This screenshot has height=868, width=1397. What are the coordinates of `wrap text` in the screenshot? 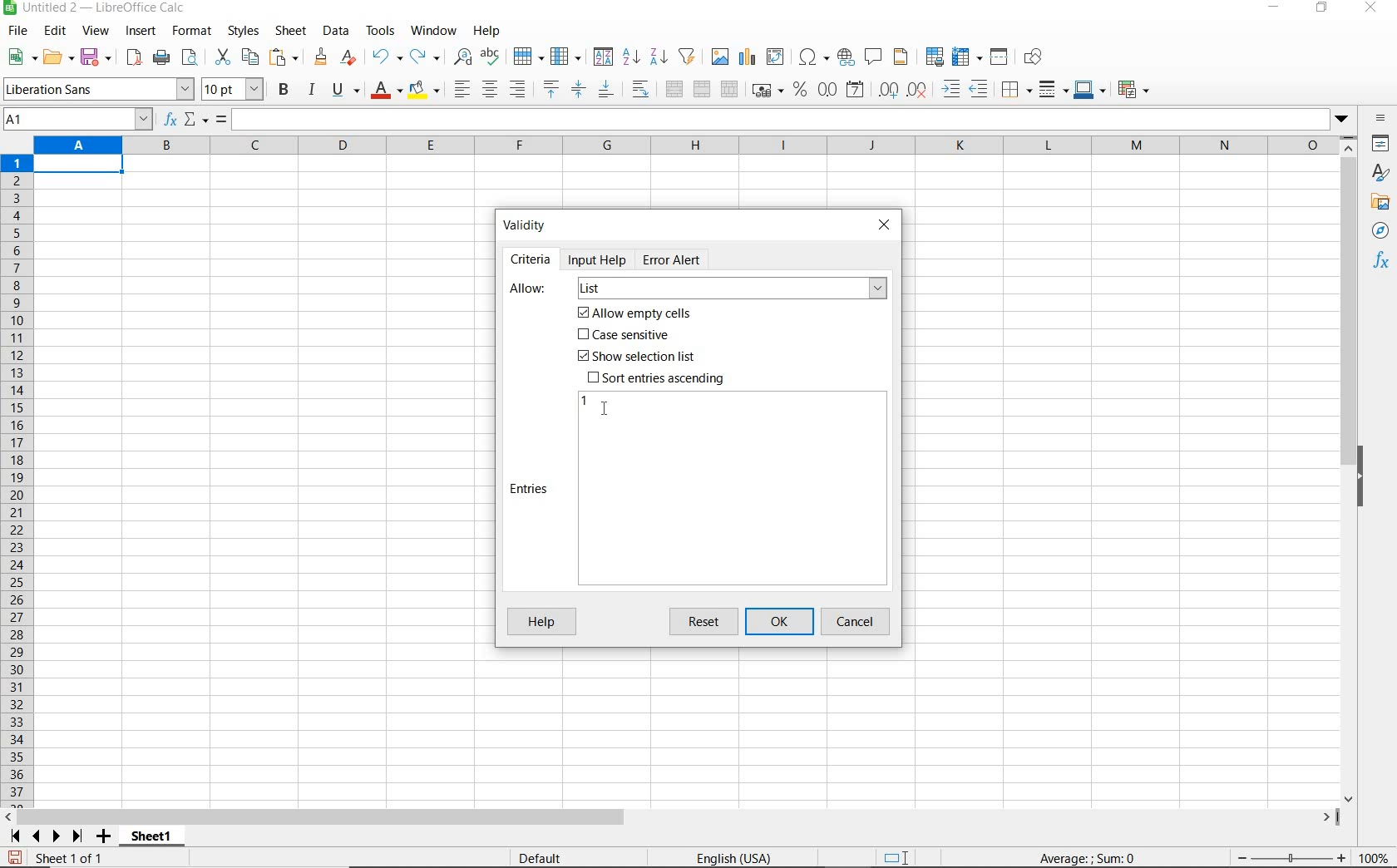 It's located at (643, 88).